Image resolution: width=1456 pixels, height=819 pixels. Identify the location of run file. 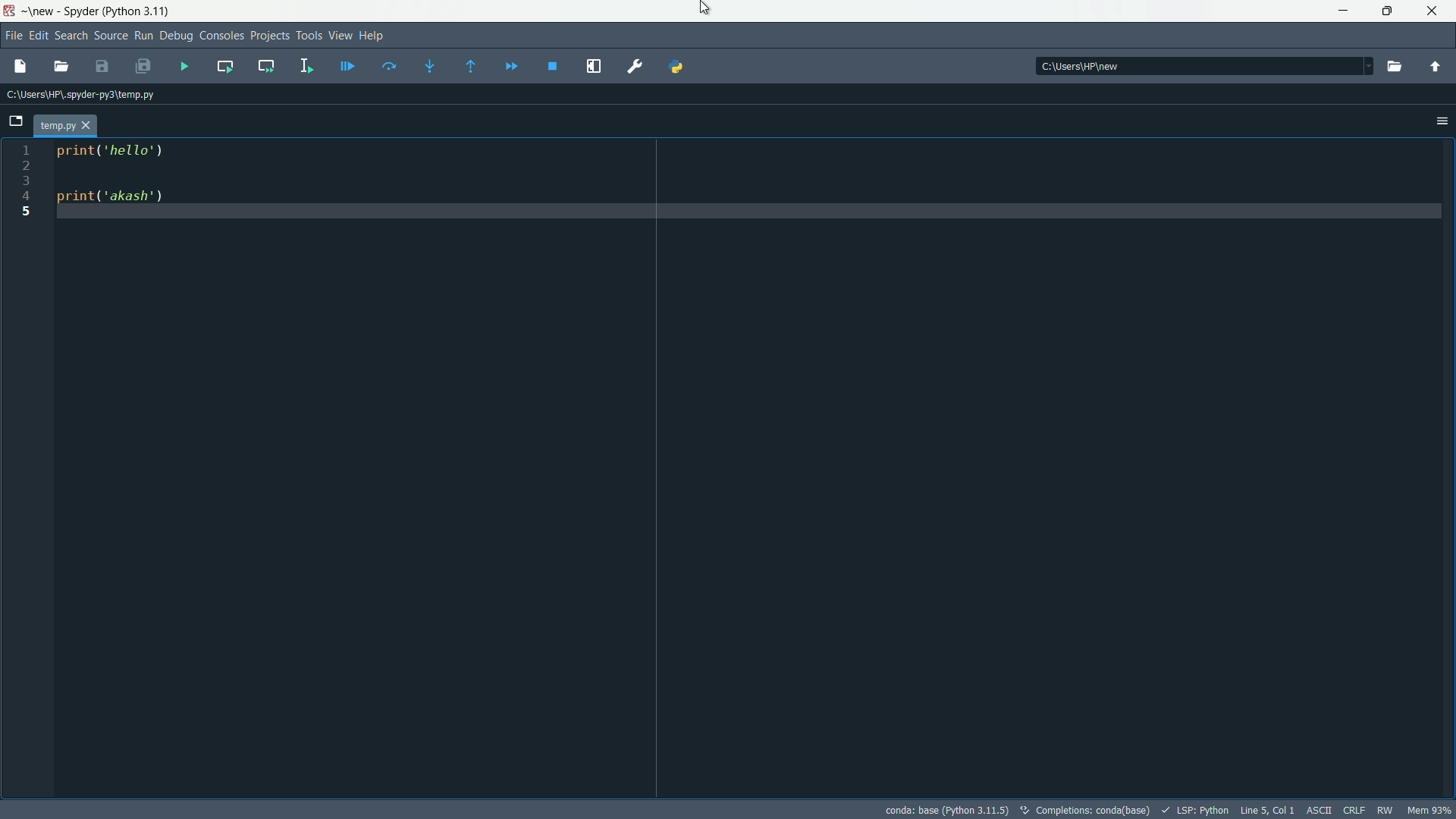
(186, 66).